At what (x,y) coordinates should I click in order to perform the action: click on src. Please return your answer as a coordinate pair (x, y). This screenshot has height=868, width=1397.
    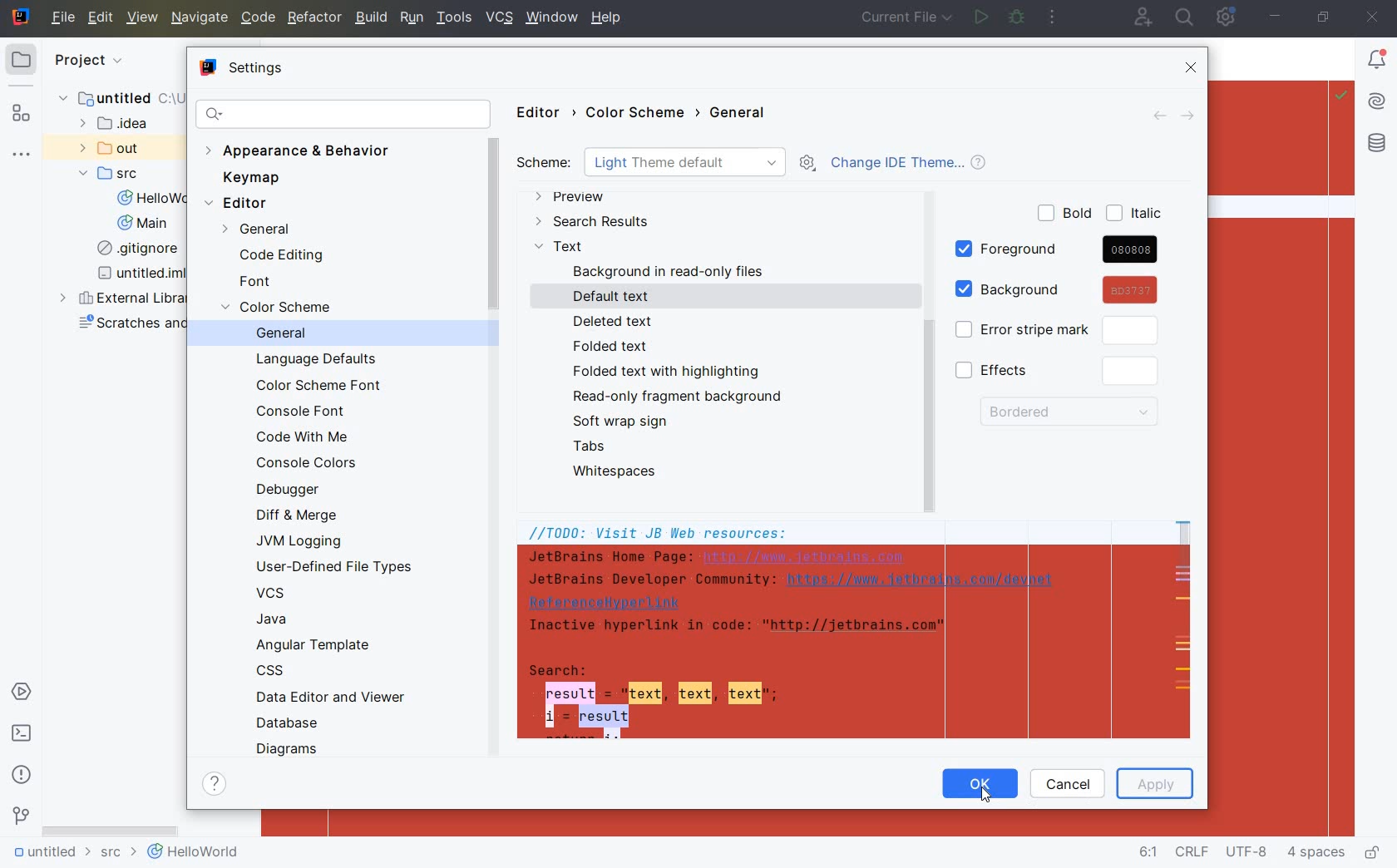
    Looking at the image, I should click on (116, 856).